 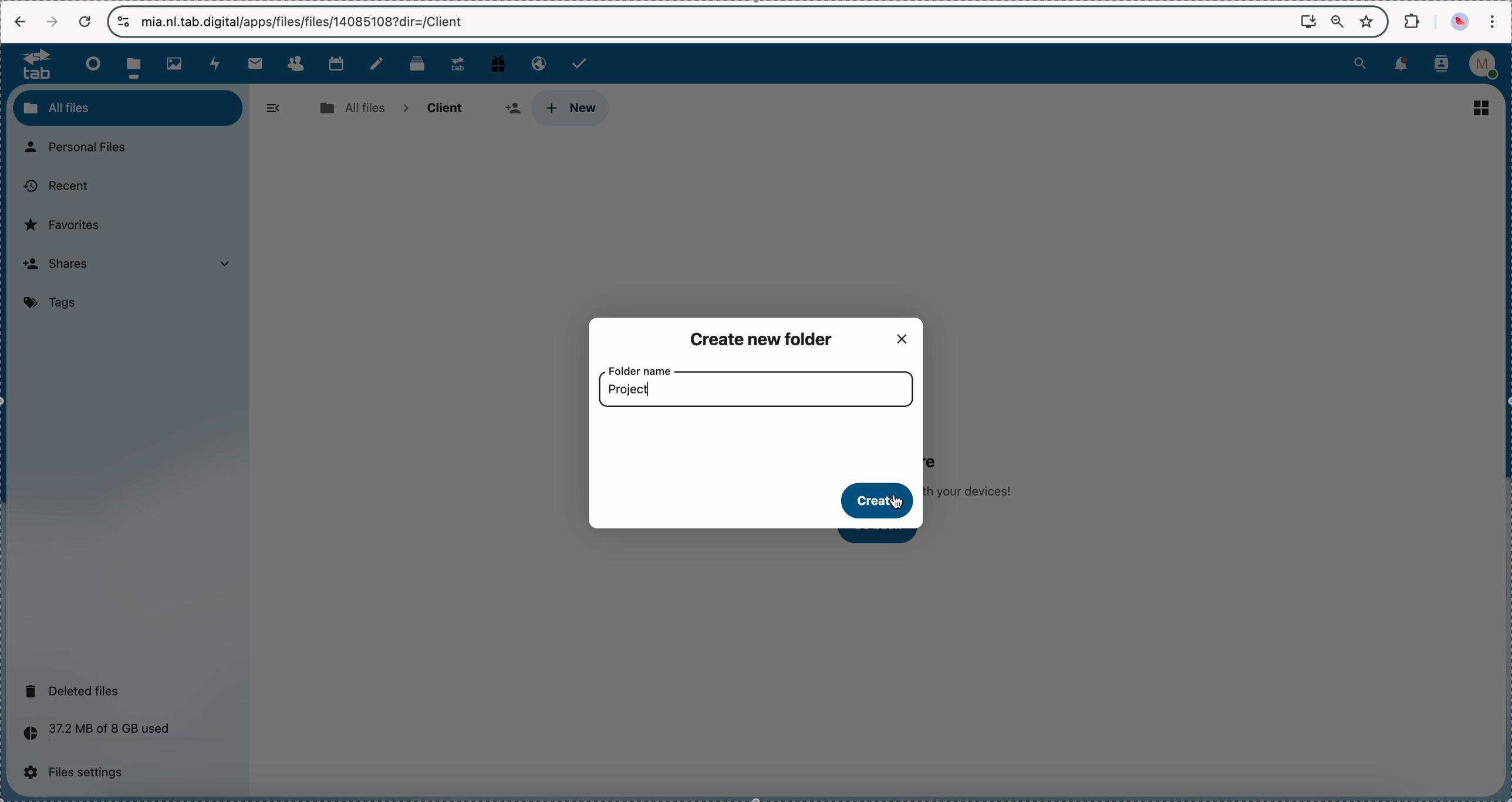 I want to click on photos, so click(x=178, y=64).